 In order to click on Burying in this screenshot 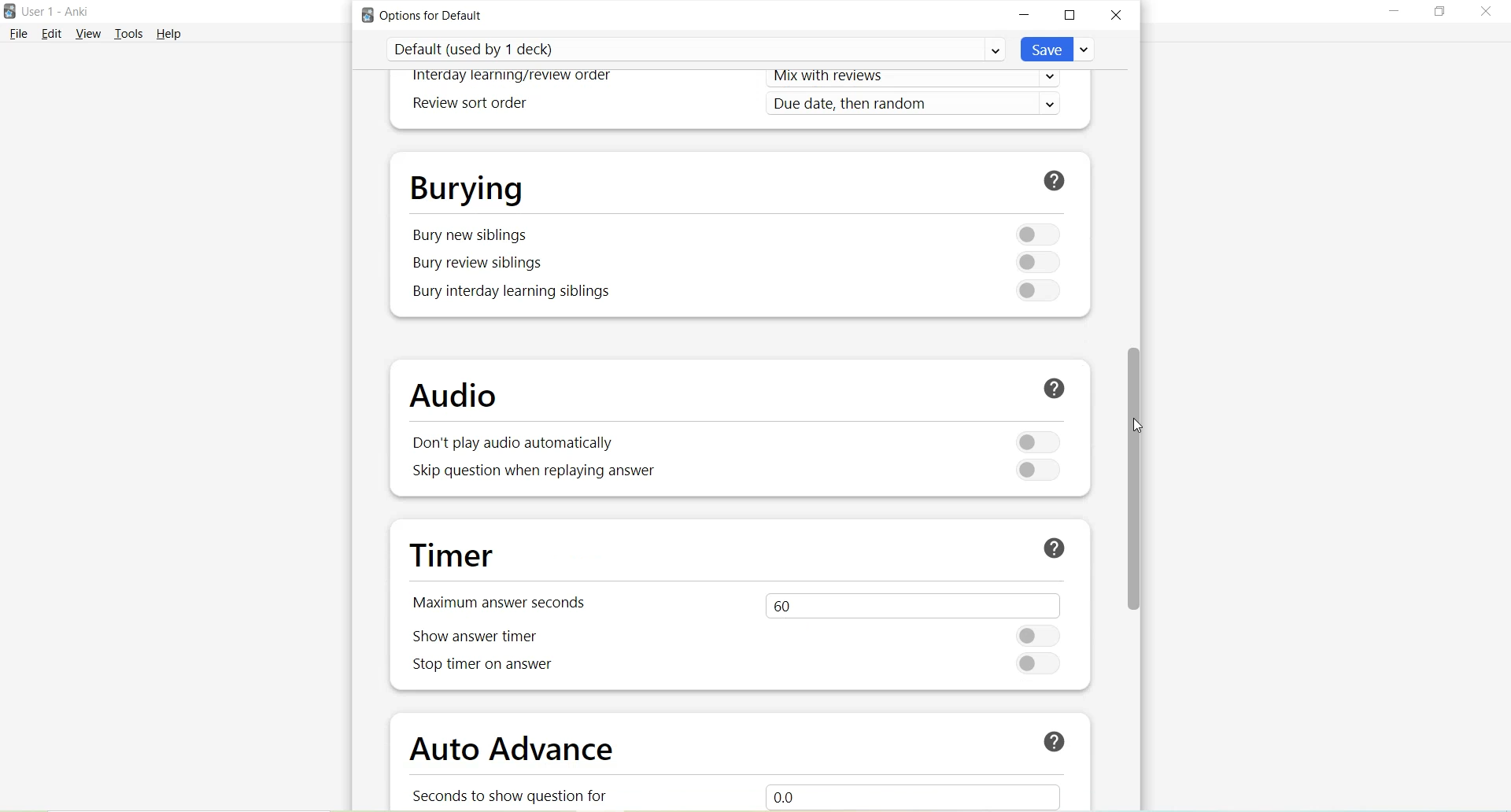, I will do `click(467, 186)`.